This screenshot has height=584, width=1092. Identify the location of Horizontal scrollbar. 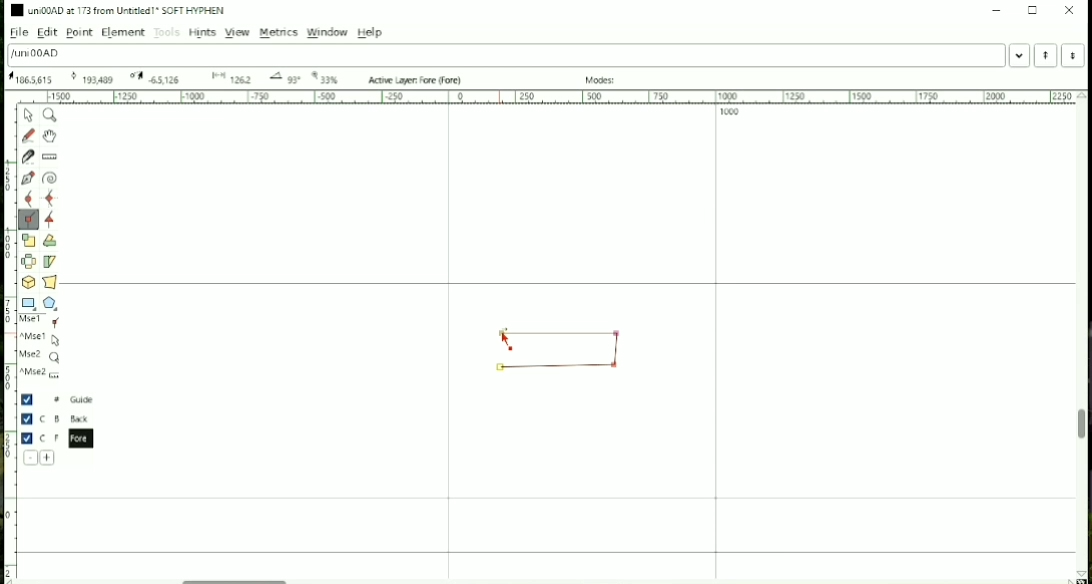
(240, 578).